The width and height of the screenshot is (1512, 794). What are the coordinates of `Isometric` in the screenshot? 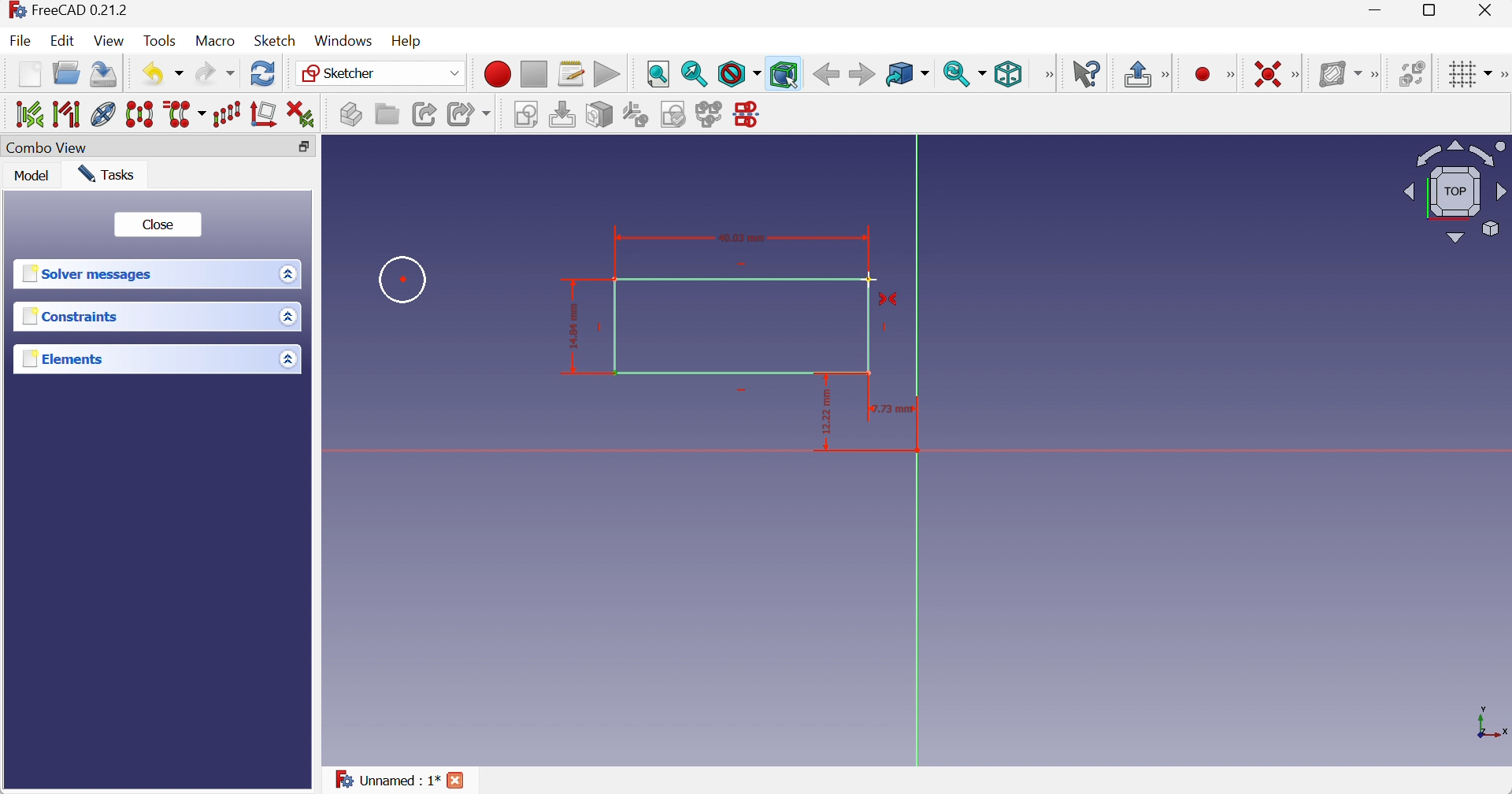 It's located at (1009, 75).